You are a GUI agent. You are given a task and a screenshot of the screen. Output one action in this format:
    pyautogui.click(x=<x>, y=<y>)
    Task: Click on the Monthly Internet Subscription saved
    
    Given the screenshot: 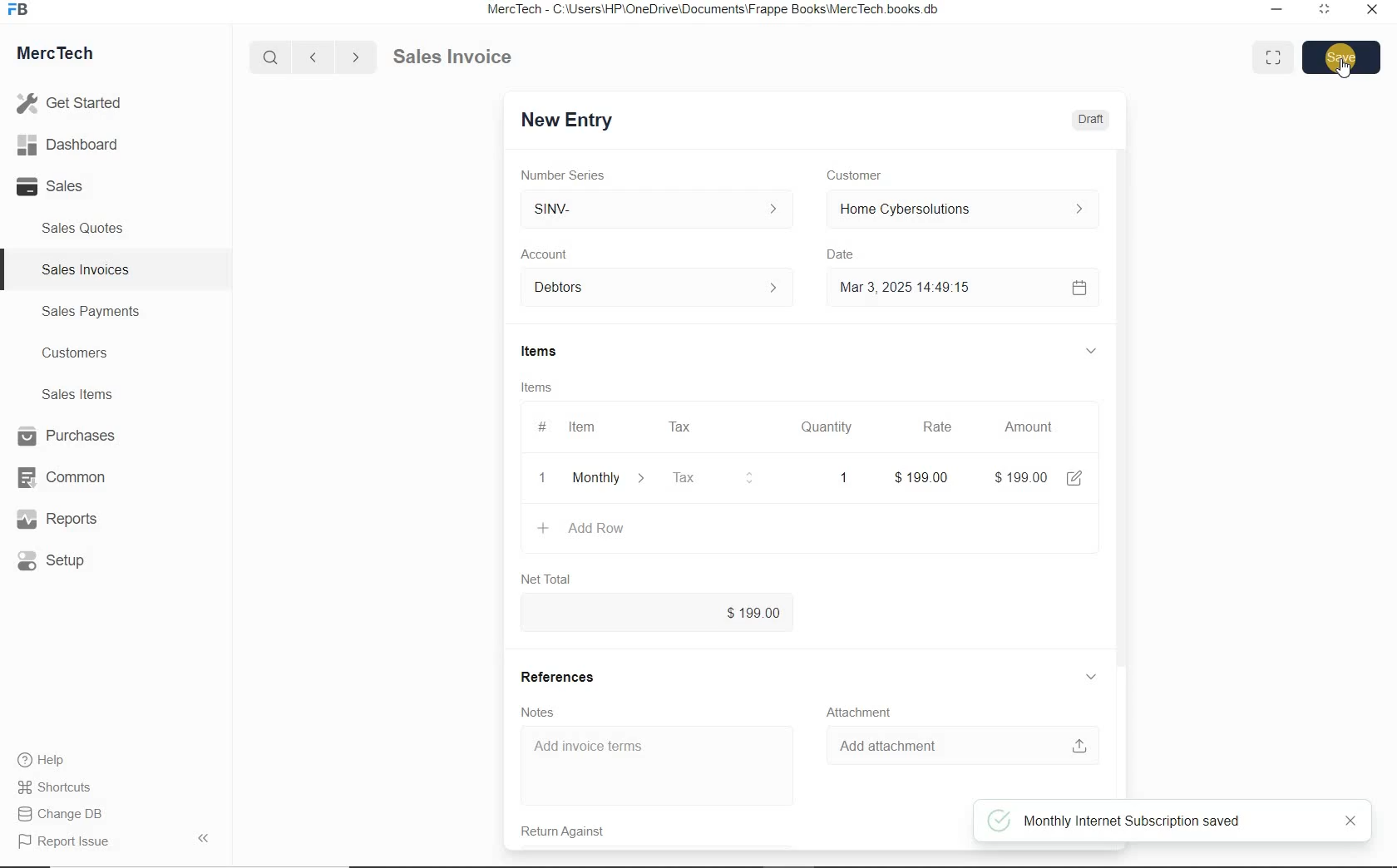 What is the action you would take?
    pyautogui.click(x=1122, y=821)
    